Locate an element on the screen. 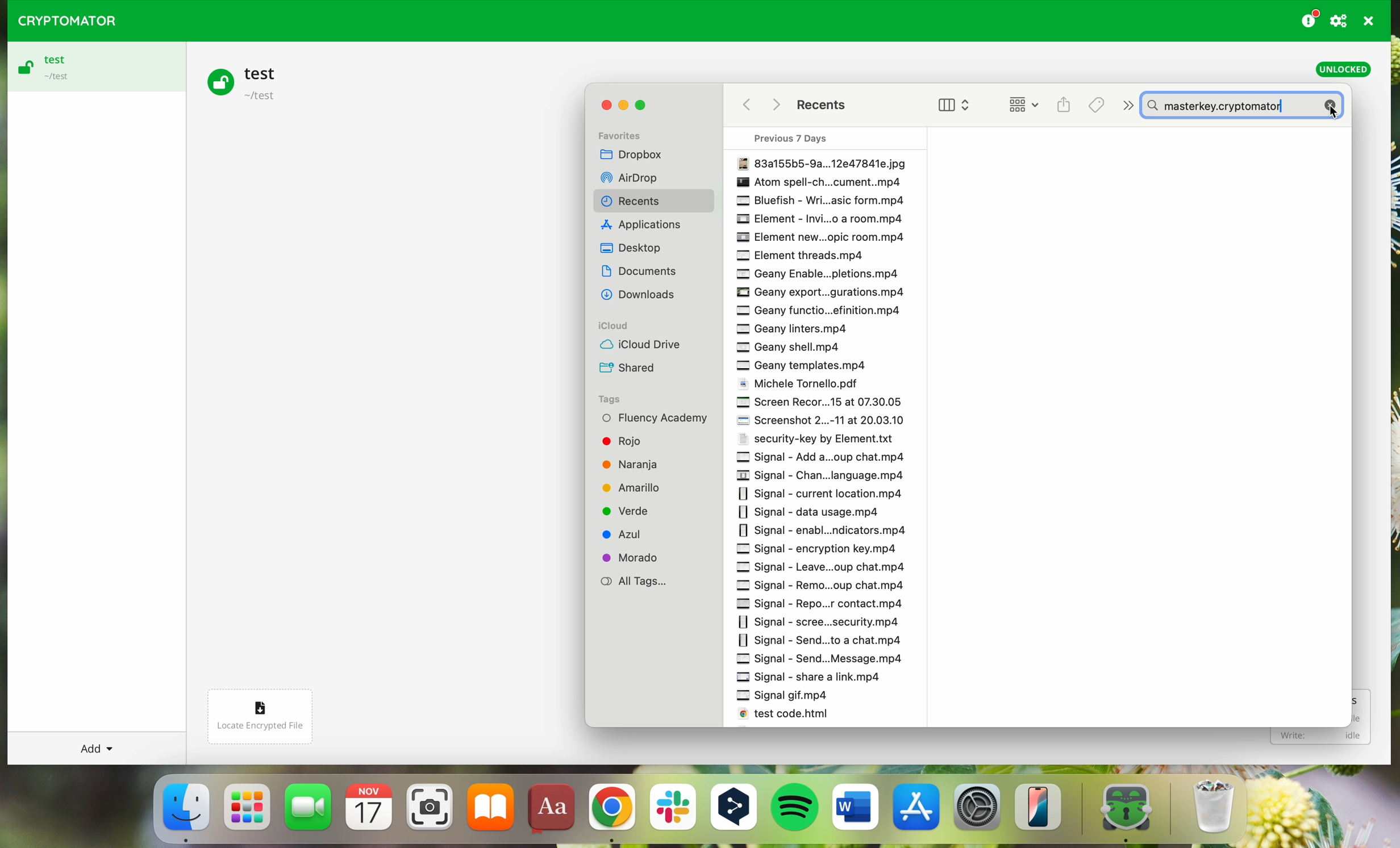 The width and height of the screenshot is (1400, 848). Naranja is located at coordinates (641, 463).